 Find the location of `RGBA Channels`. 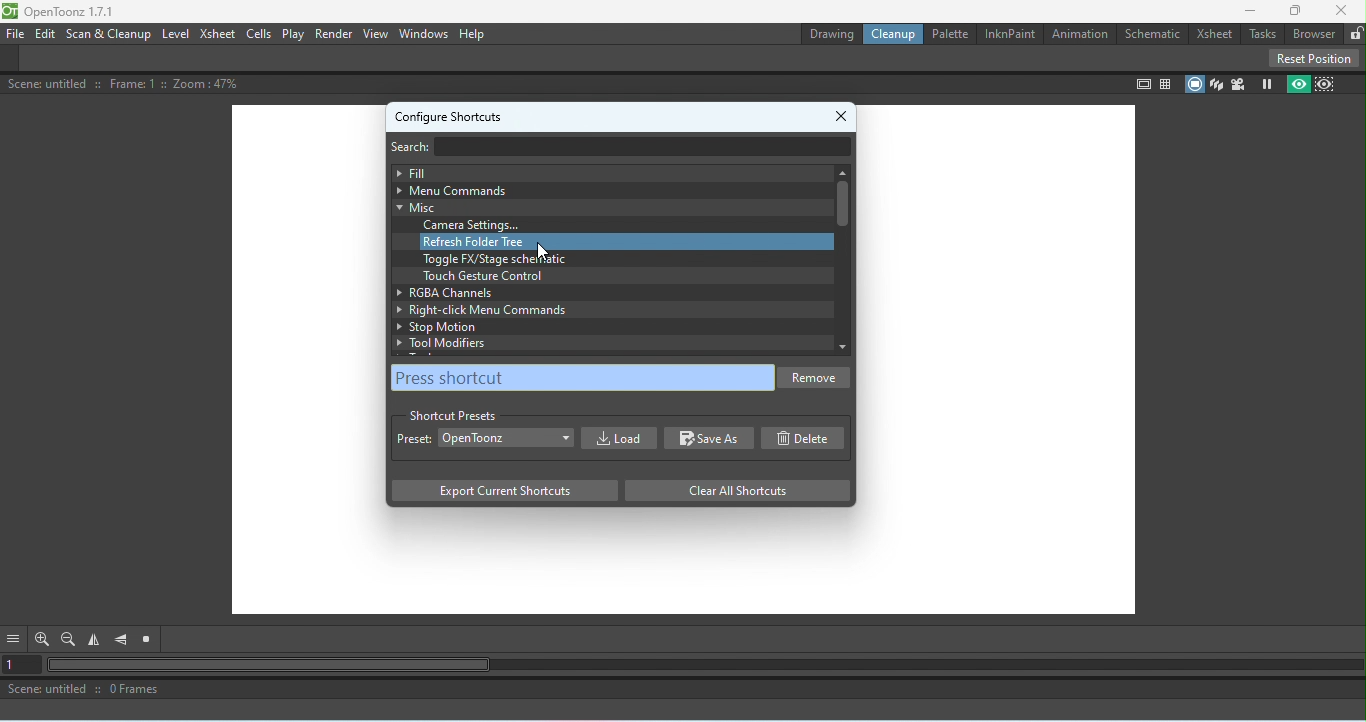

RGBA Channels is located at coordinates (598, 291).